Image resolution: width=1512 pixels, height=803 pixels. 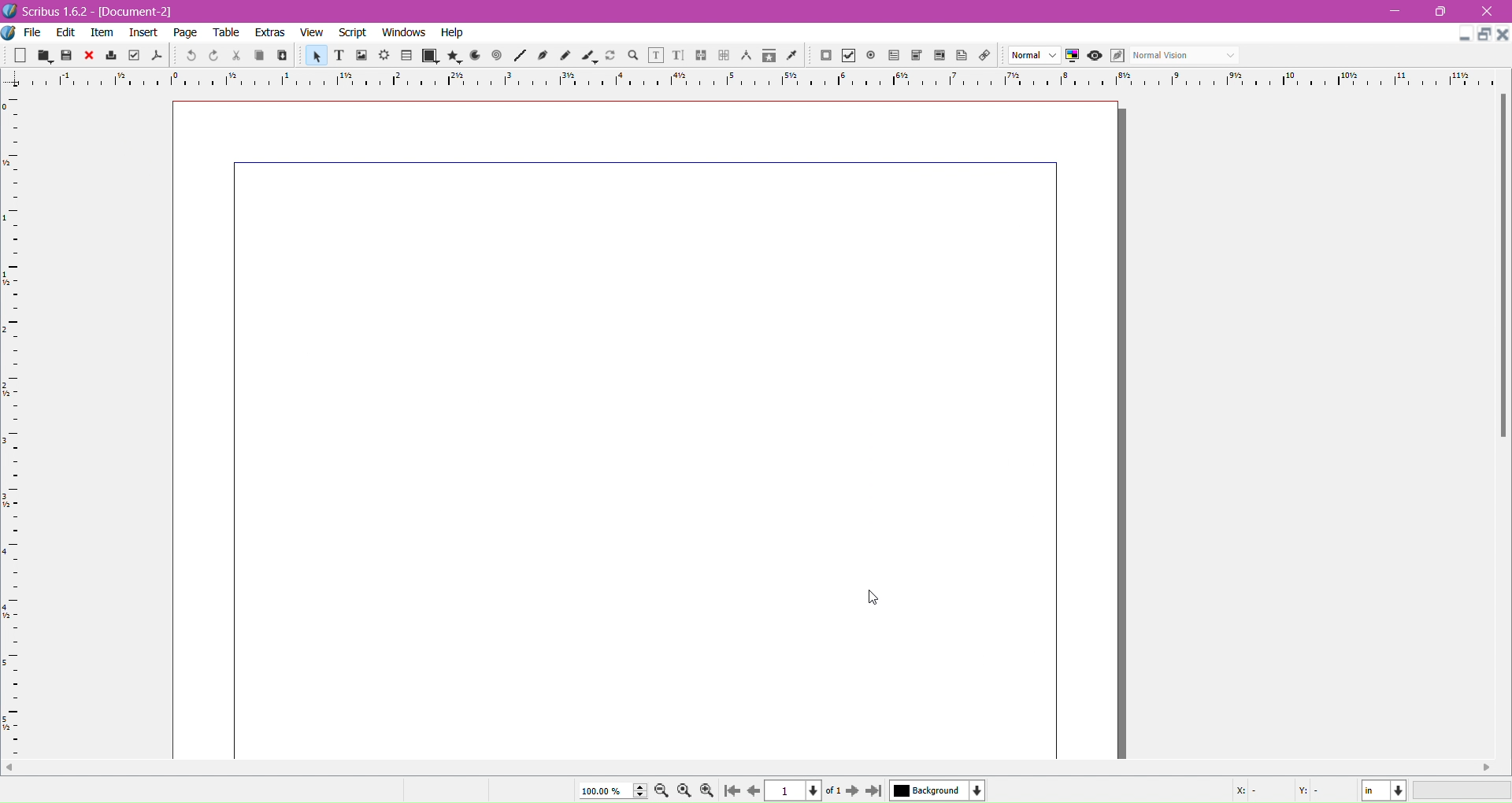 I want to click on open folder, so click(x=44, y=57).